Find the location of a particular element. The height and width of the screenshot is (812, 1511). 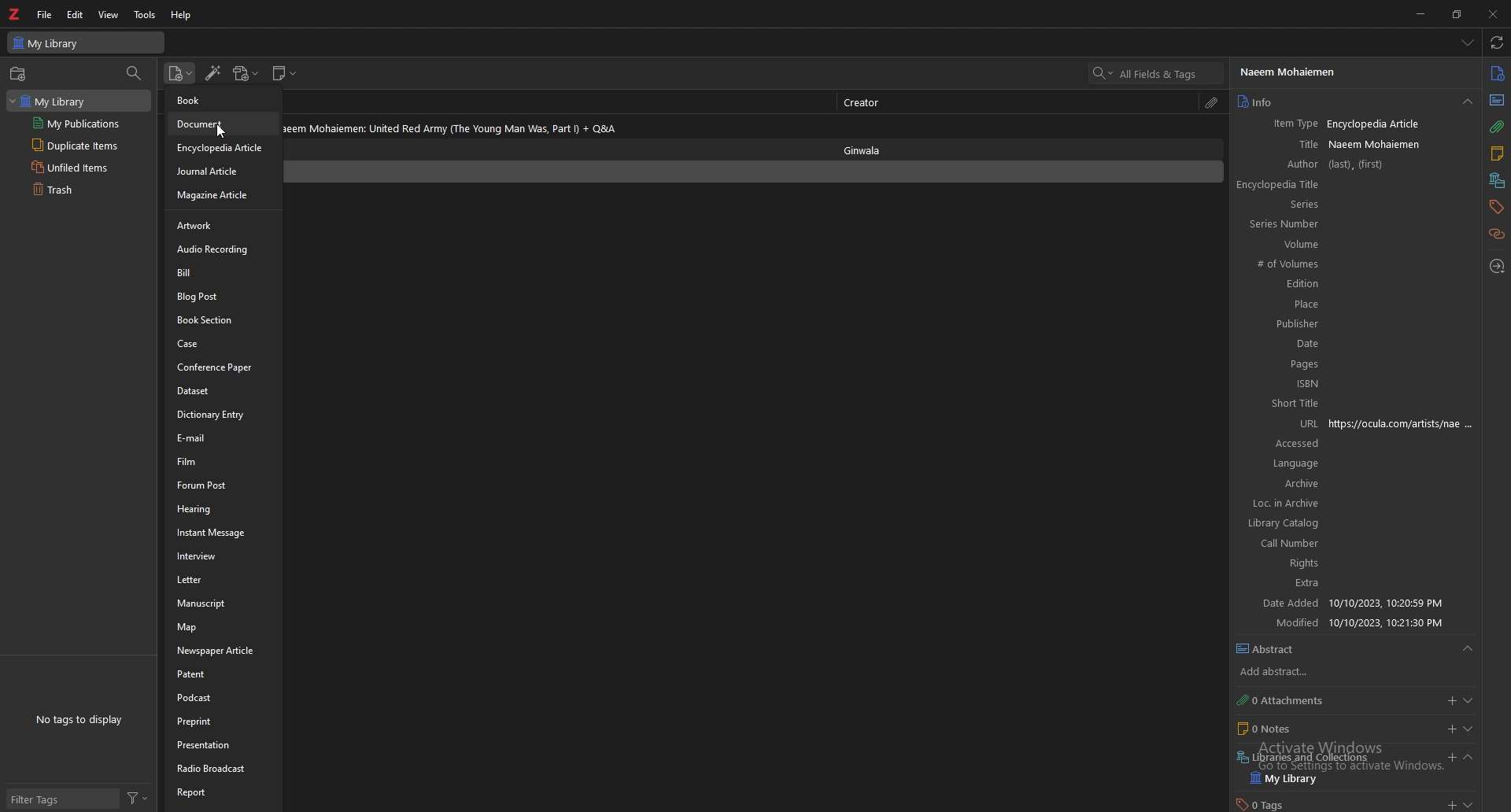

ginwala is located at coordinates (871, 149).